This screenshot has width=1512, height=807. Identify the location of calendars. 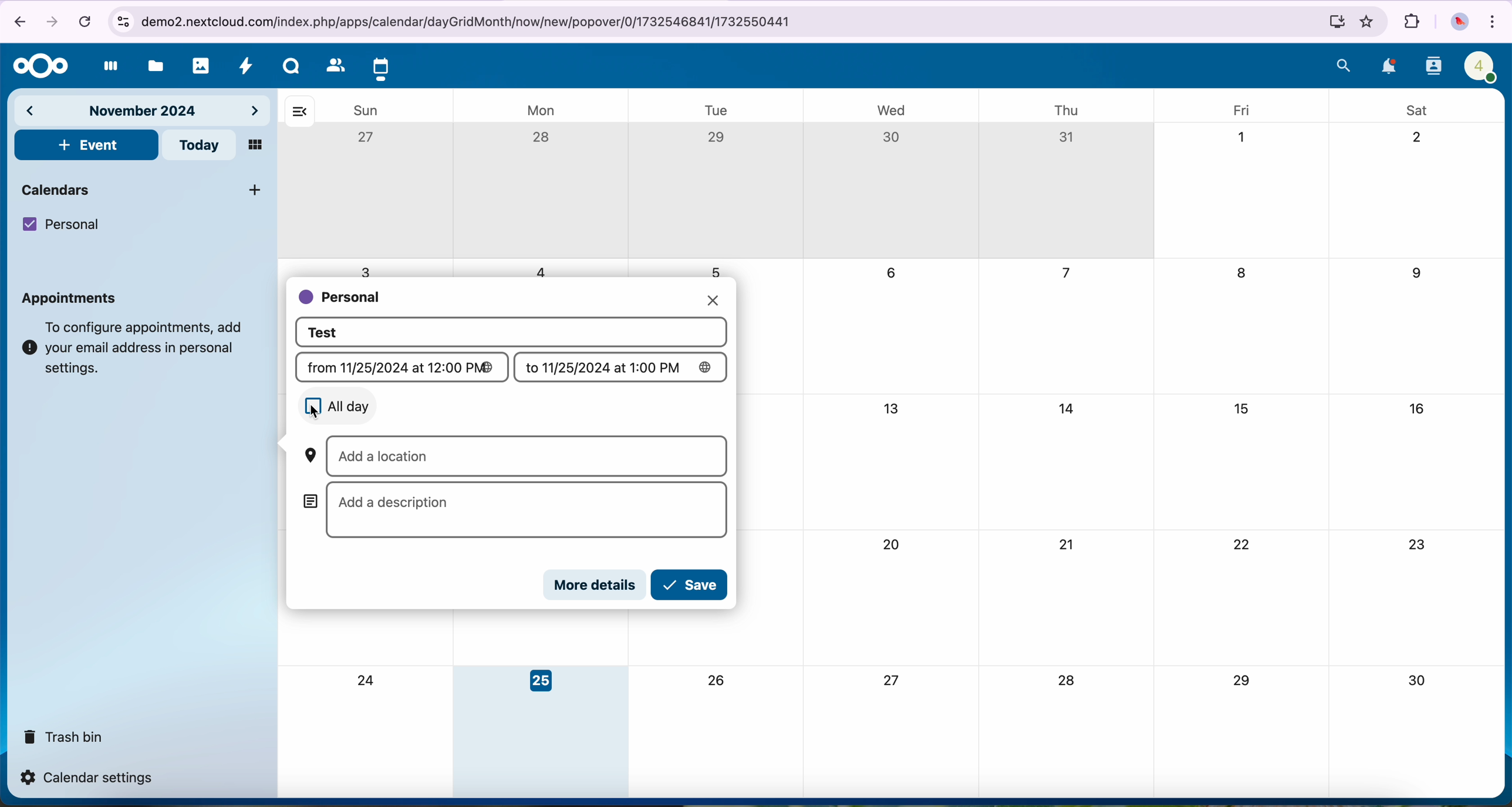
(144, 189).